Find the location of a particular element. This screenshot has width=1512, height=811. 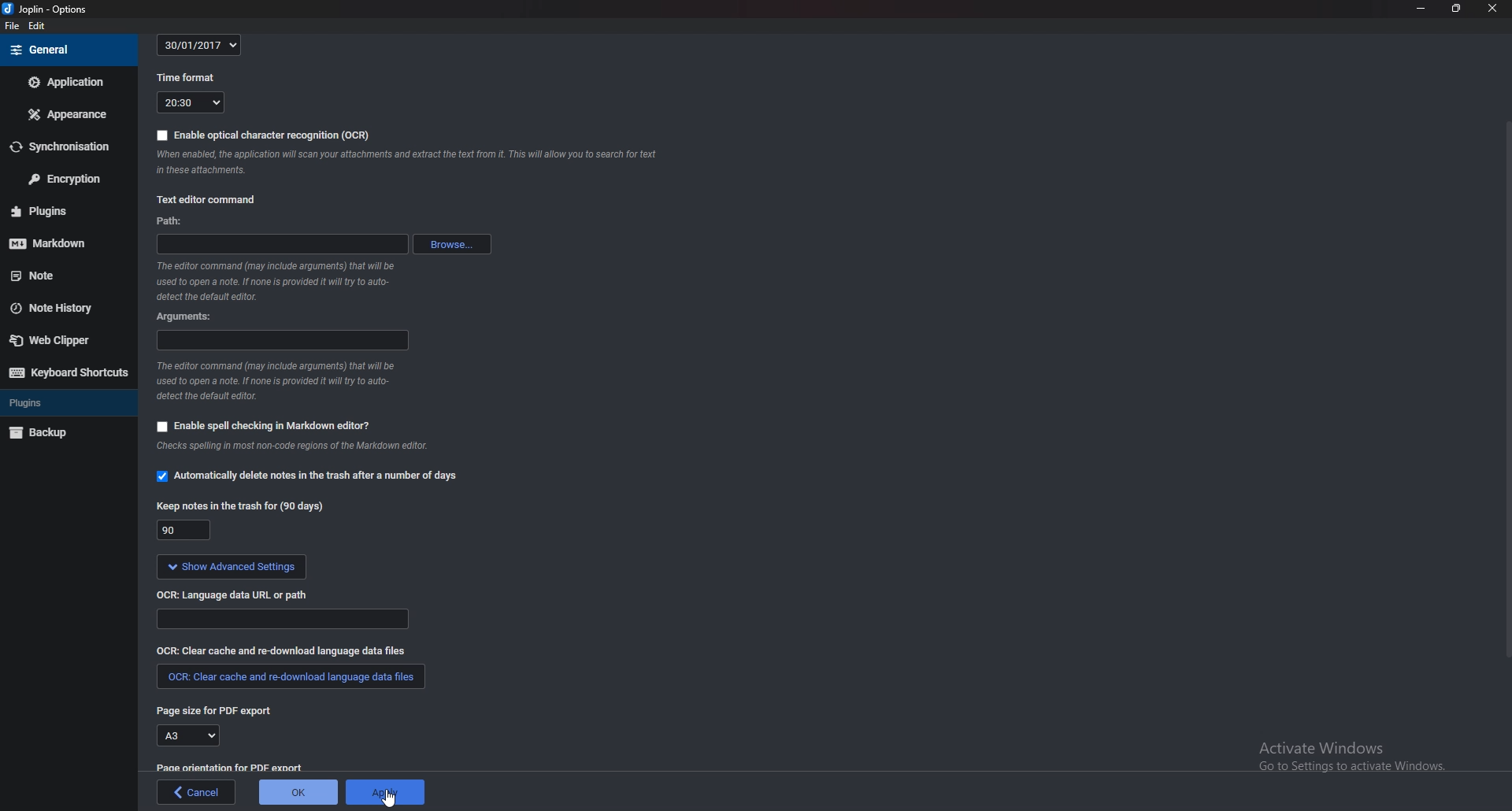

Resize is located at coordinates (1456, 9).